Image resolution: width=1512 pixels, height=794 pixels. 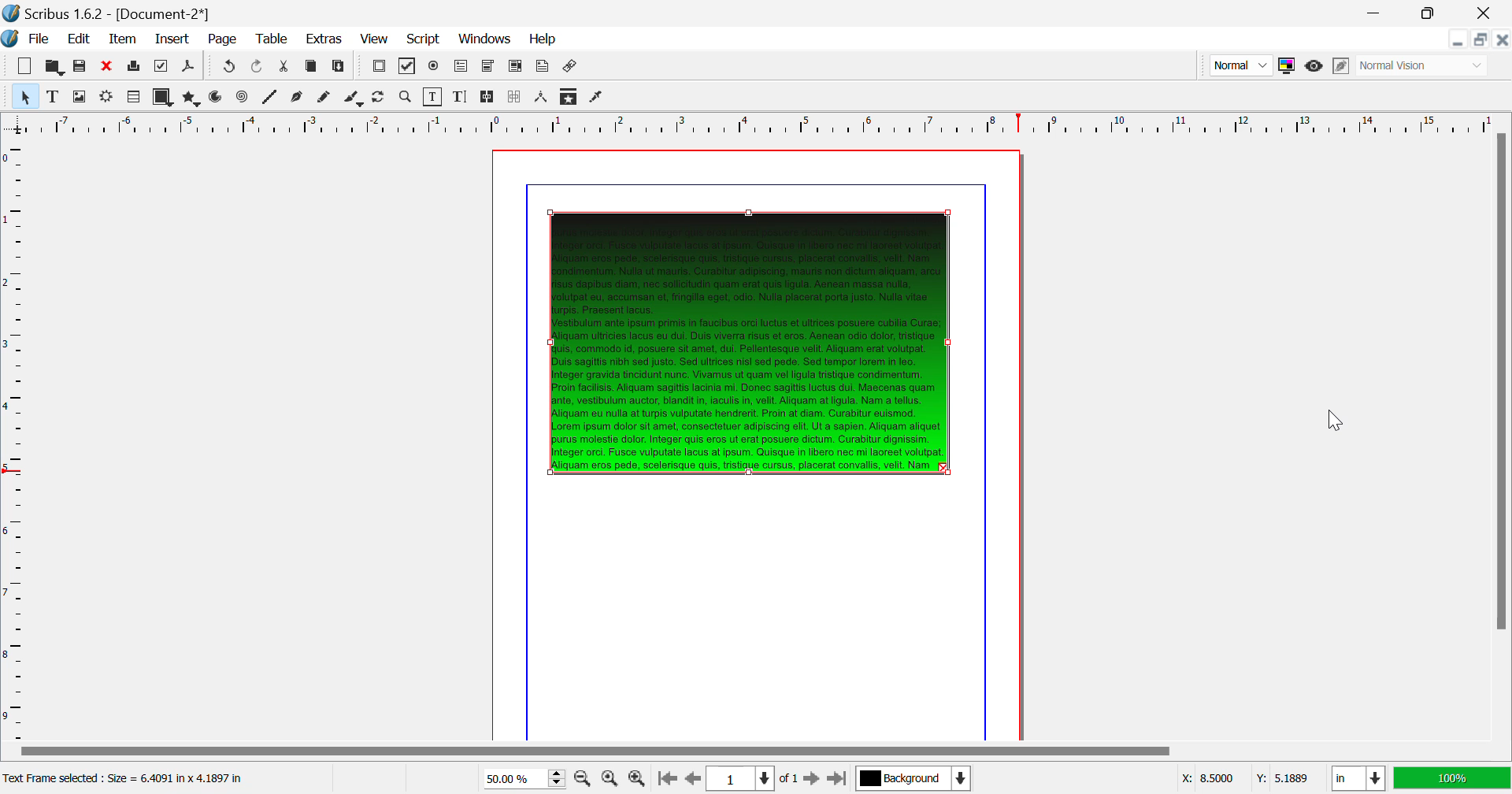 I want to click on Next Page, so click(x=811, y=777).